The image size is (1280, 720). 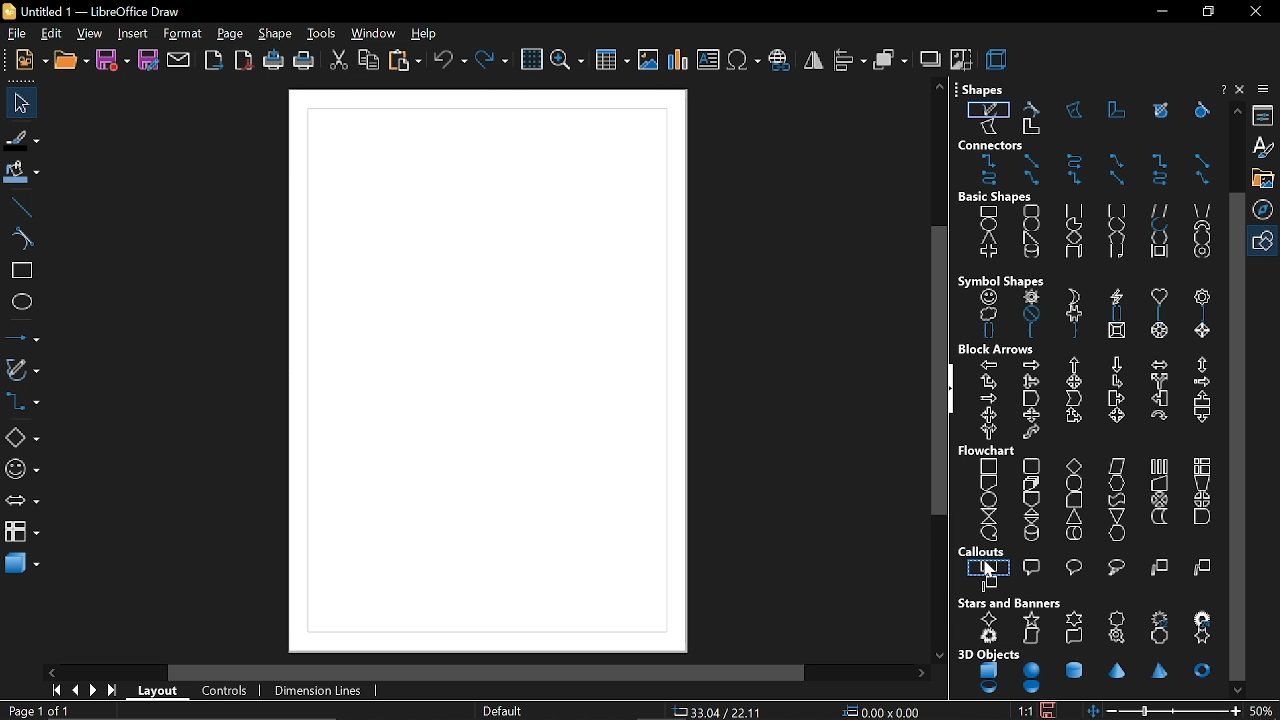 What do you see at coordinates (1029, 334) in the screenshot?
I see `left brace` at bounding box center [1029, 334].